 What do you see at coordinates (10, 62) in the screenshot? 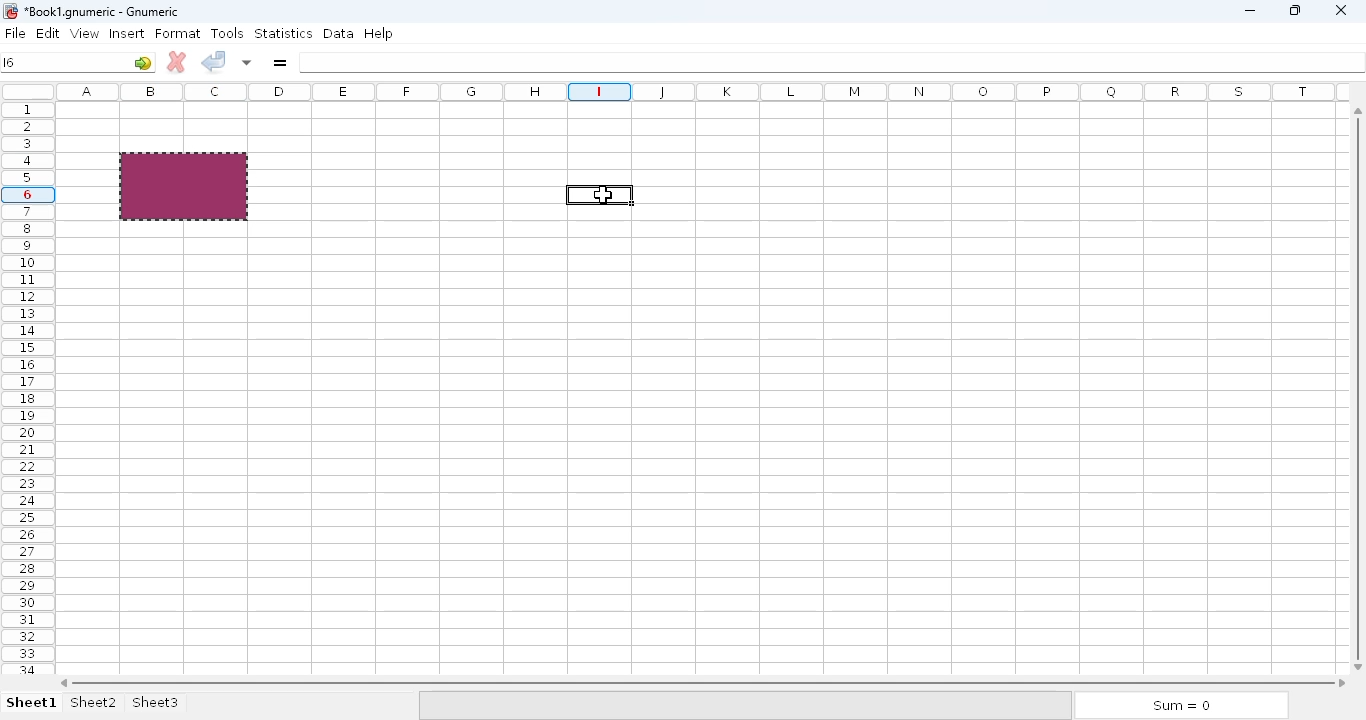
I see `I6` at bounding box center [10, 62].